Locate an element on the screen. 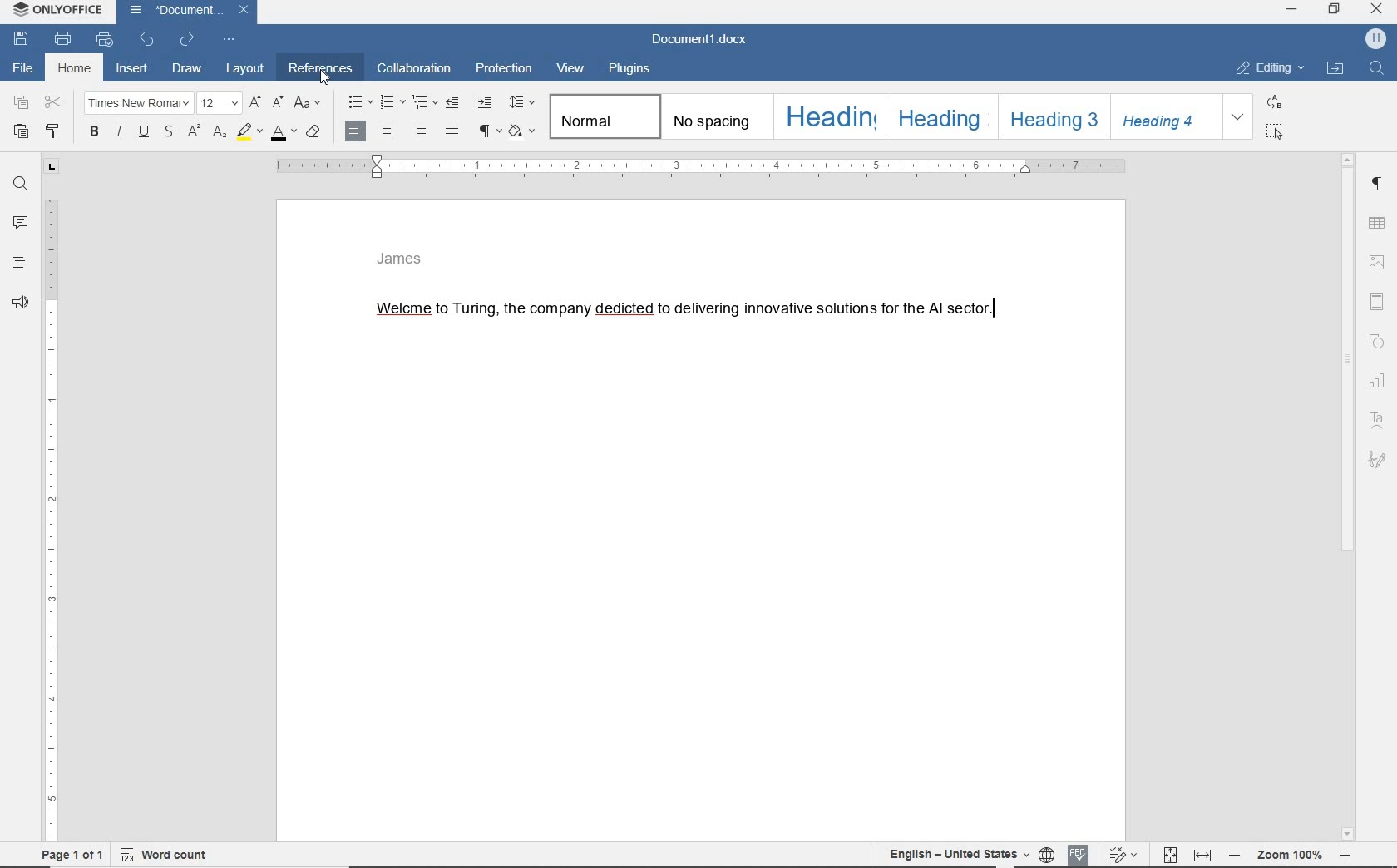 The width and height of the screenshot is (1397, 868). fit to width is located at coordinates (1203, 853).